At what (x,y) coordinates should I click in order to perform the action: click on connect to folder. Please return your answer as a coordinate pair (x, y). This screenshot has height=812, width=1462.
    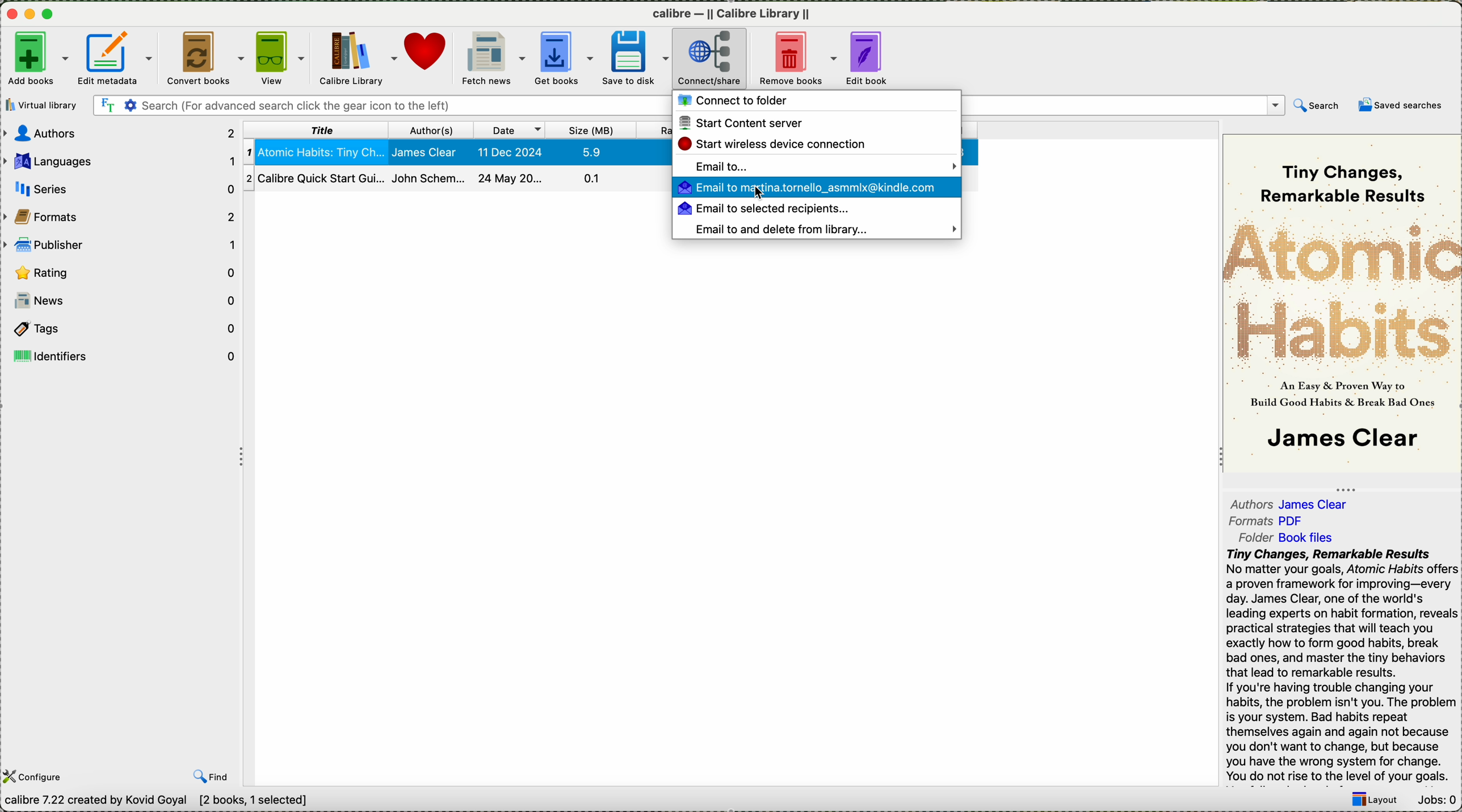
    Looking at the image, I should click on (736, 100).